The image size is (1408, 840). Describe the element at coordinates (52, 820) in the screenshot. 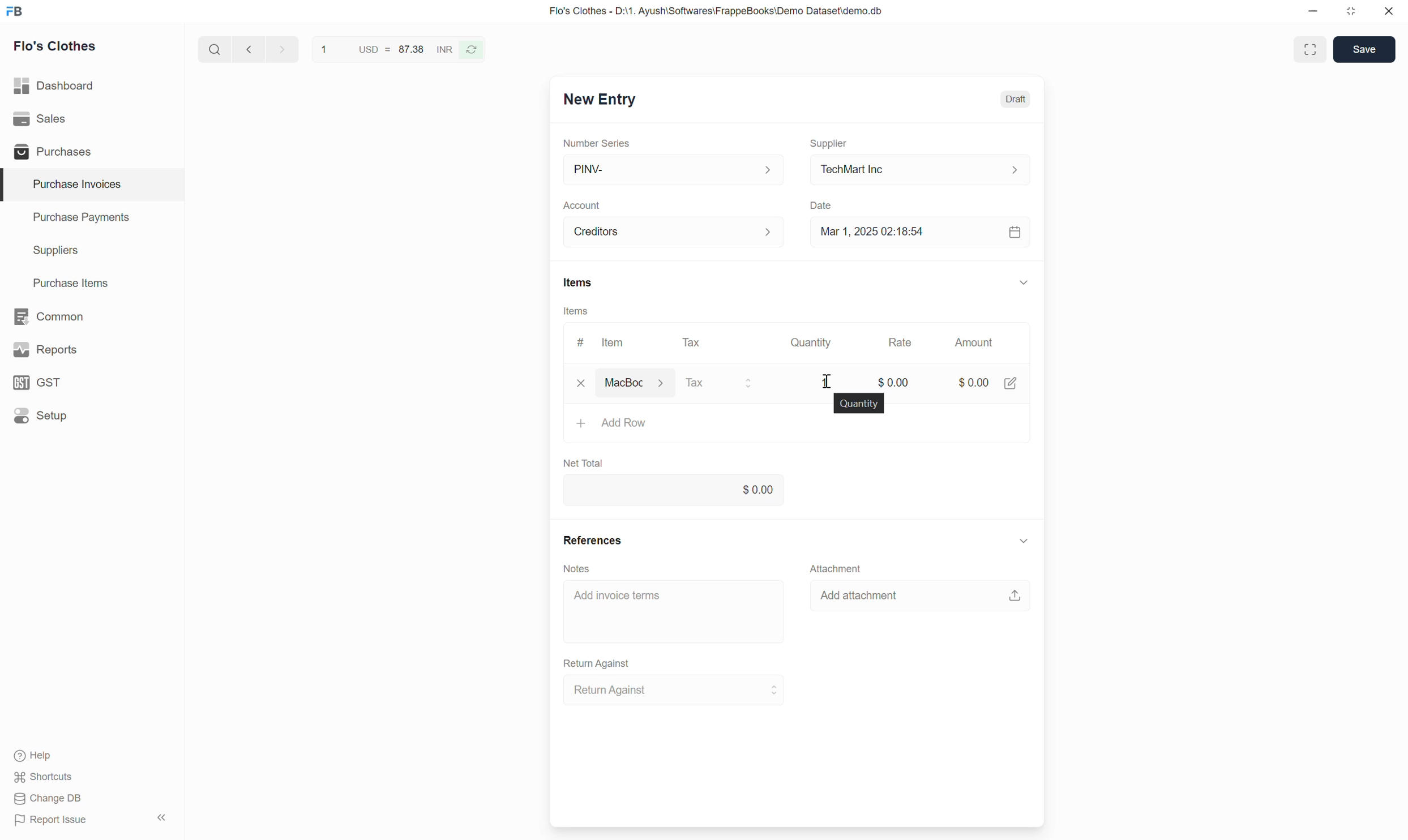

I see `Report Issue` at that location.